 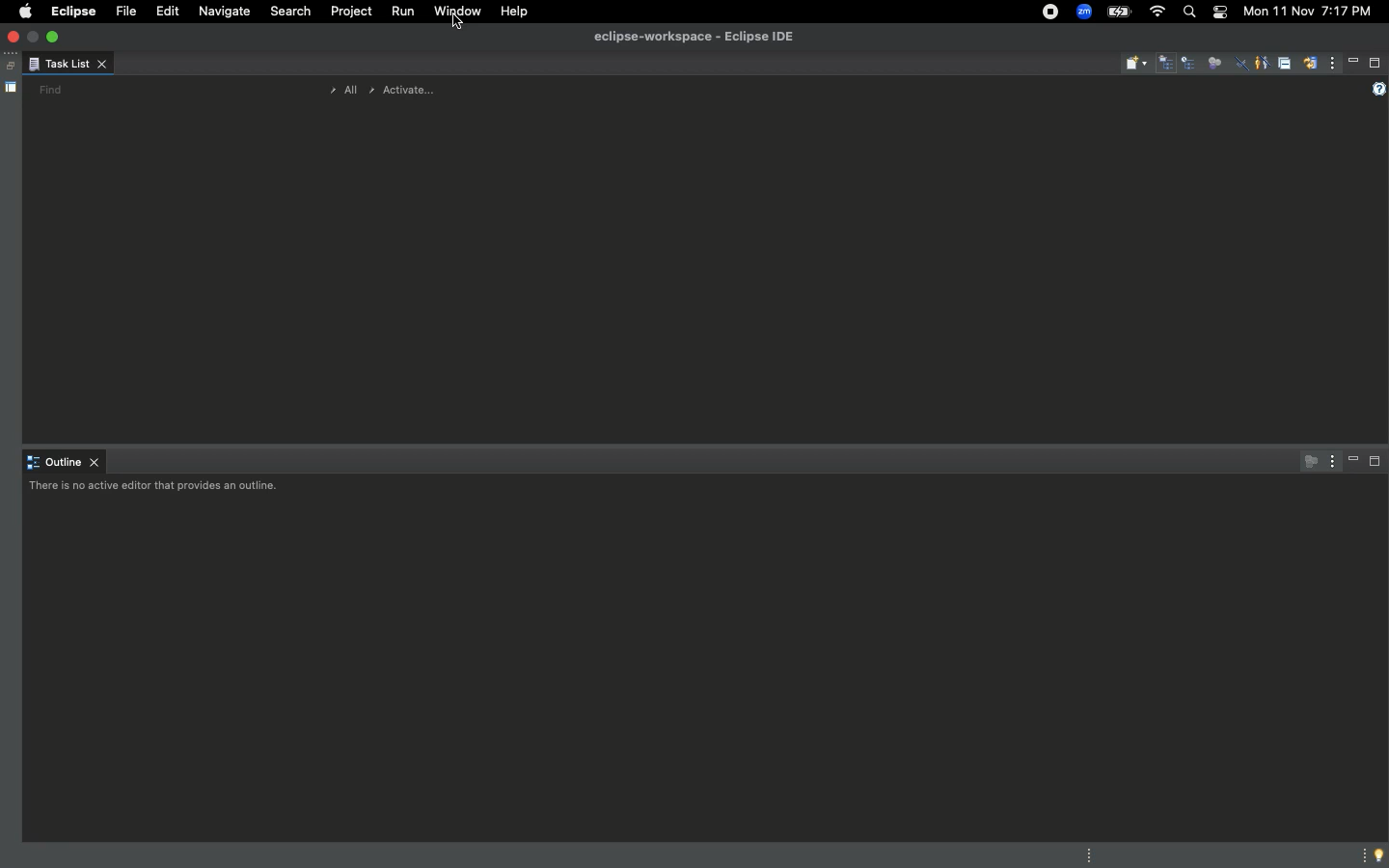 I want to click on Recording, so click(x=1049, y=14).